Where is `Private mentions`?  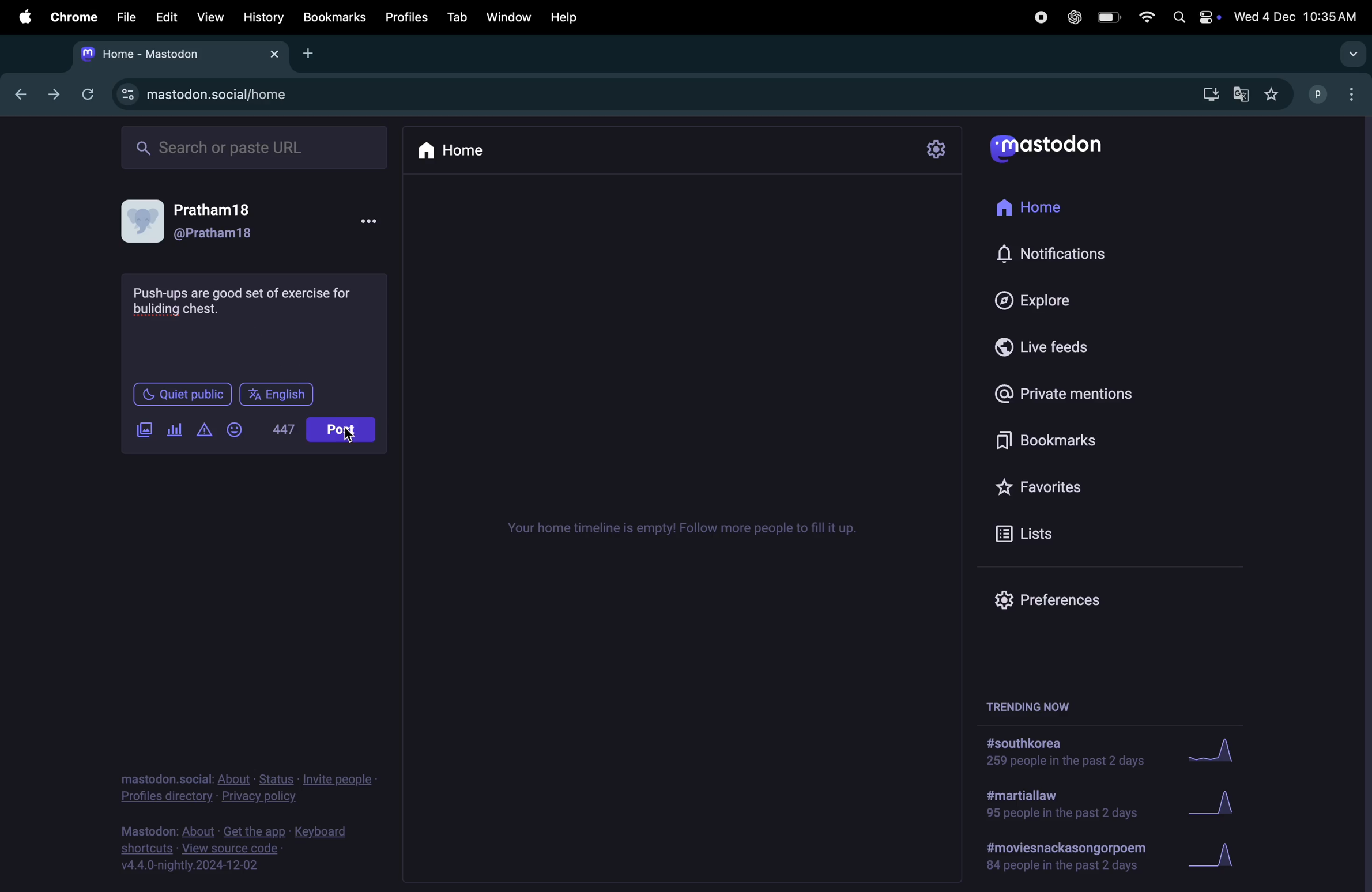
Private mentions is located at coordinates (1080, 394).